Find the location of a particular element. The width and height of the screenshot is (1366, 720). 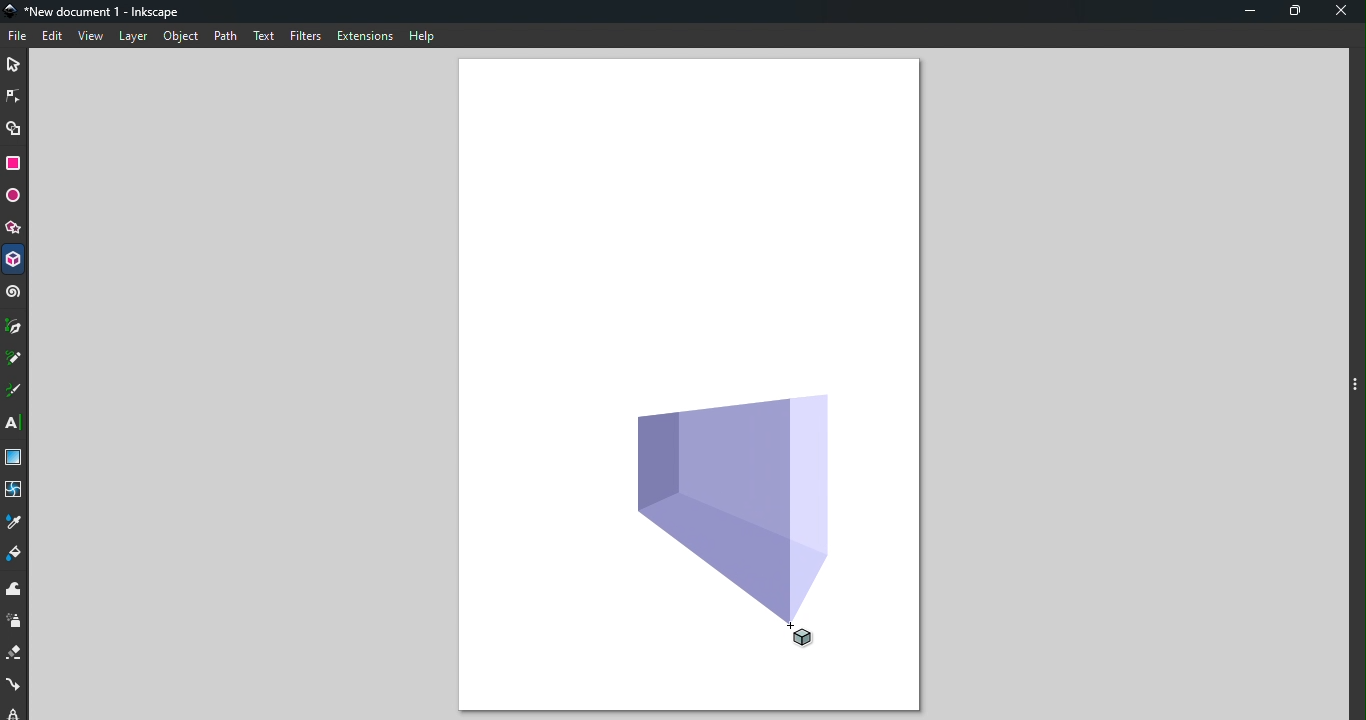

Rectangle tool is located at coordinates (15, 164).